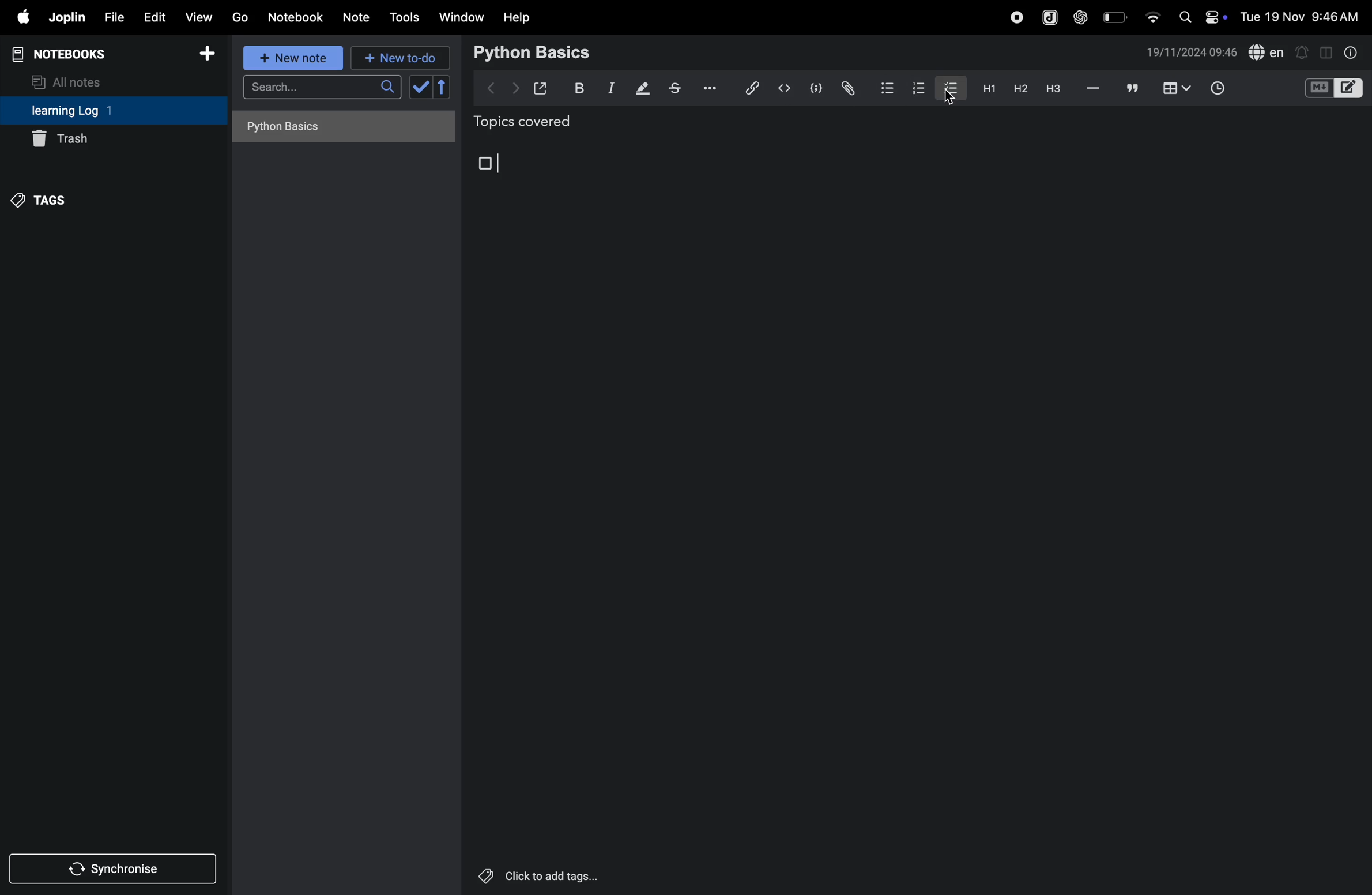 The image size is (1372, 895). I want to click on bullet list, so click(885, 87).